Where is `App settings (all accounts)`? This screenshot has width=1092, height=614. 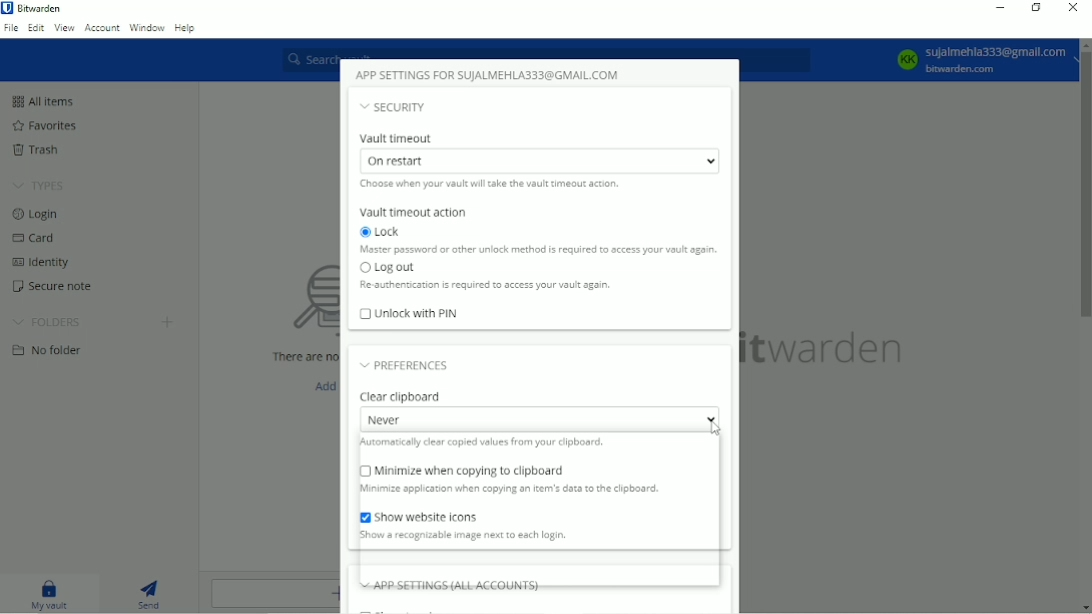 App settings (all accounts) is located at coordinates (450, 584).